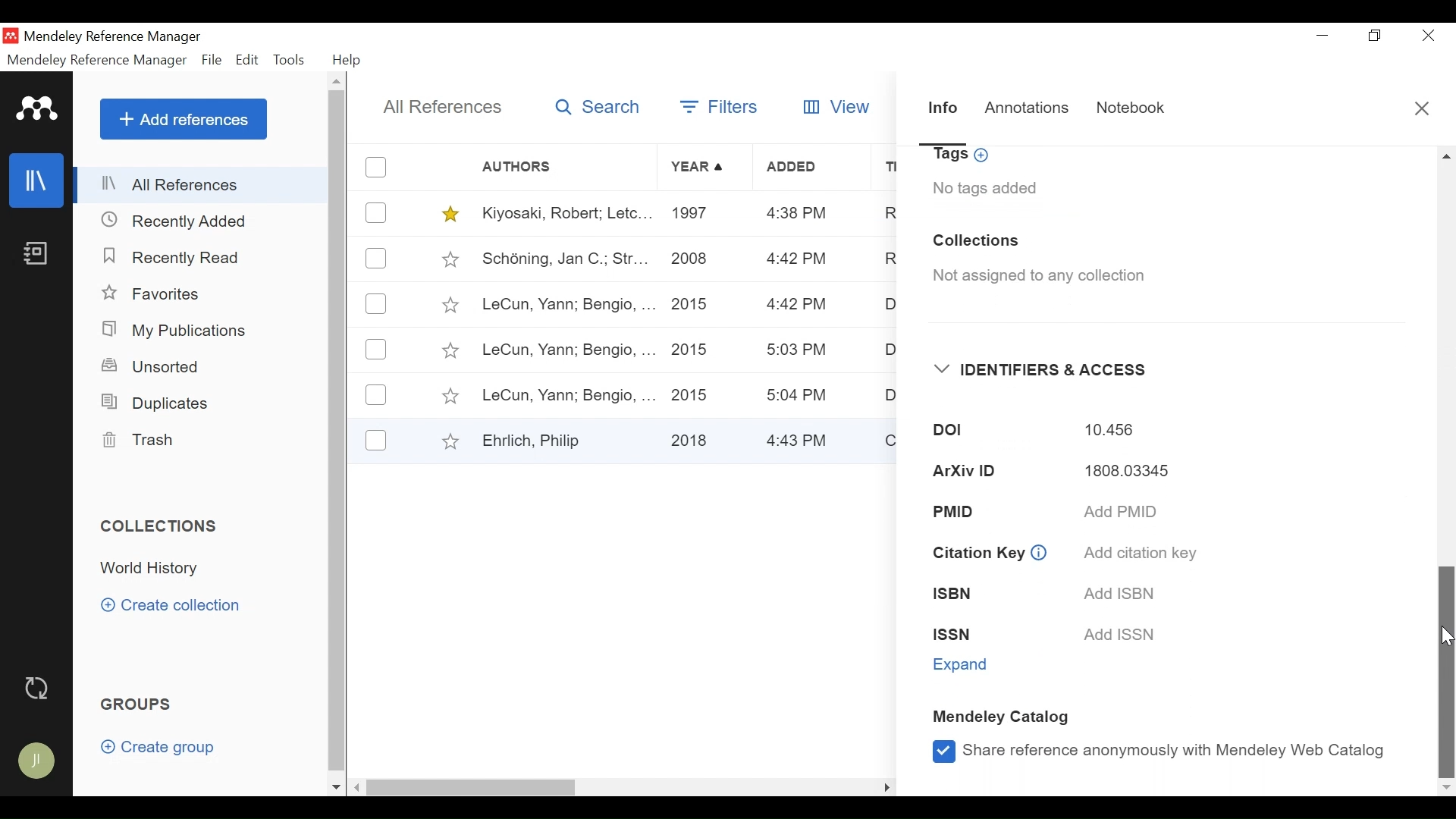  I want to click on 10.456, so click(1109, 431).